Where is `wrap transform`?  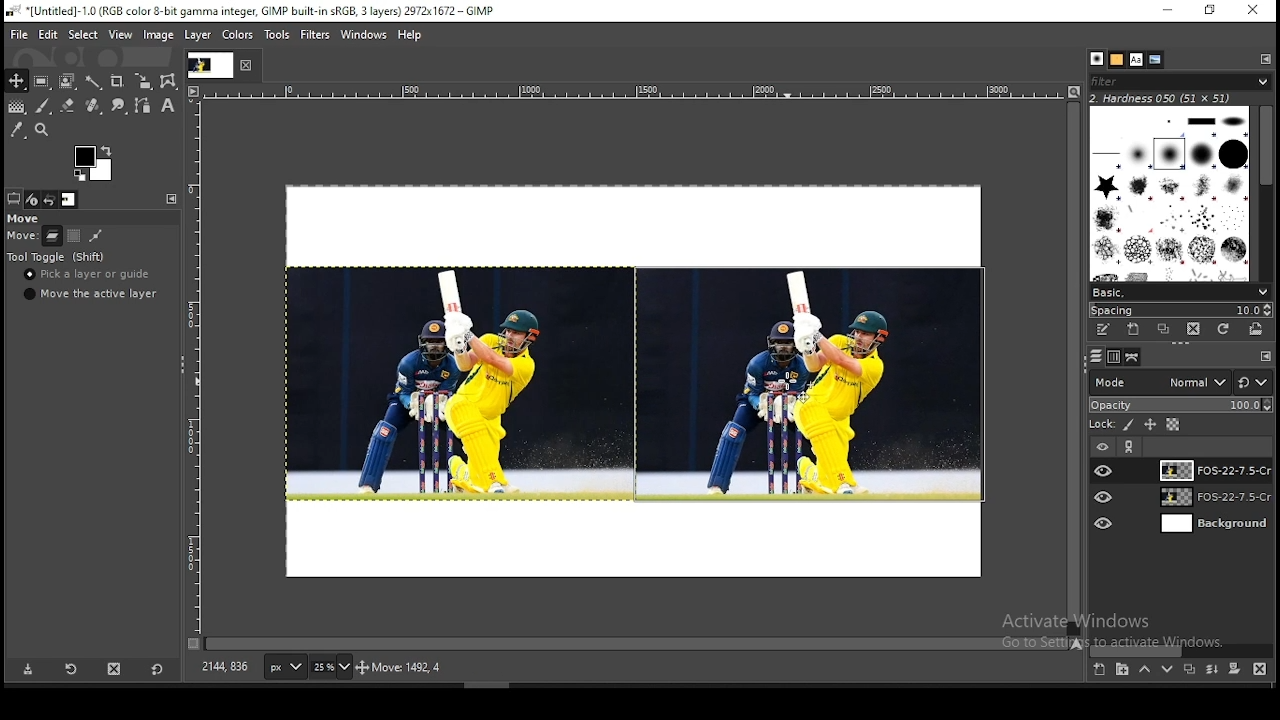 wrap transform is located at coordinates (168, 81).